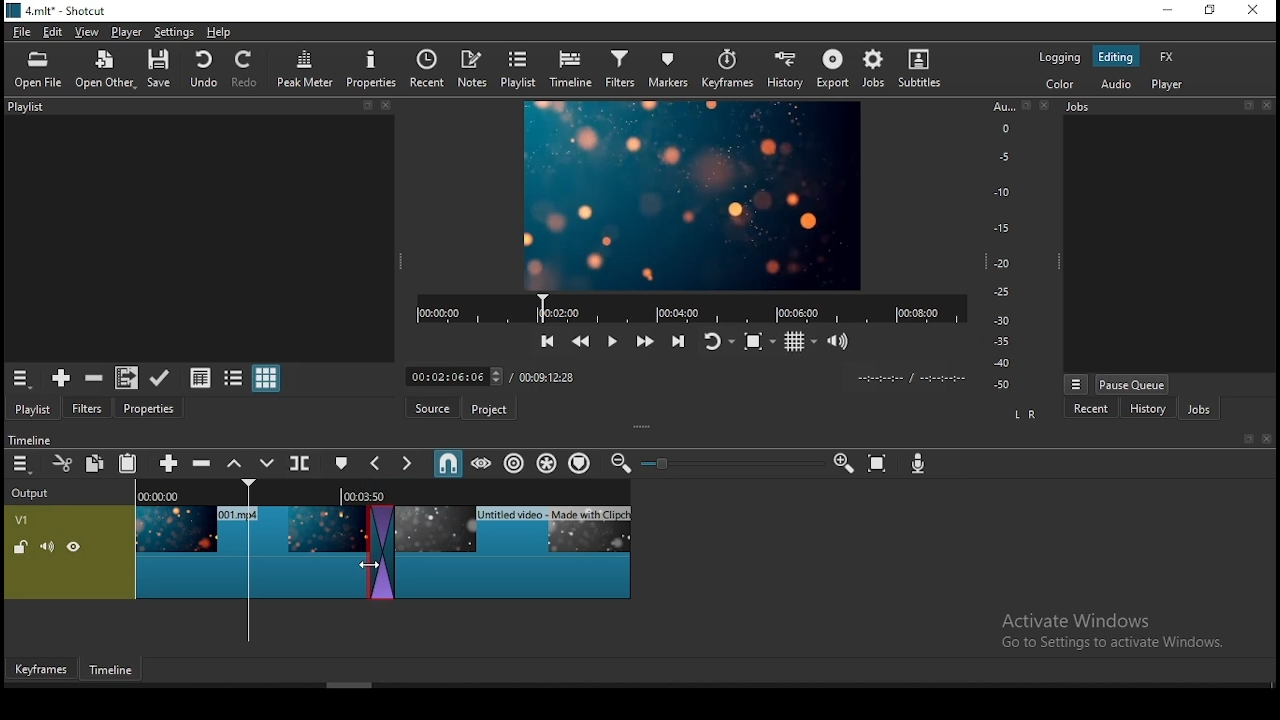 This screenshot has height=720, width=1280. Describe the element at coordinates (918, 464) in the screenshot. I see `record audio` at that location.